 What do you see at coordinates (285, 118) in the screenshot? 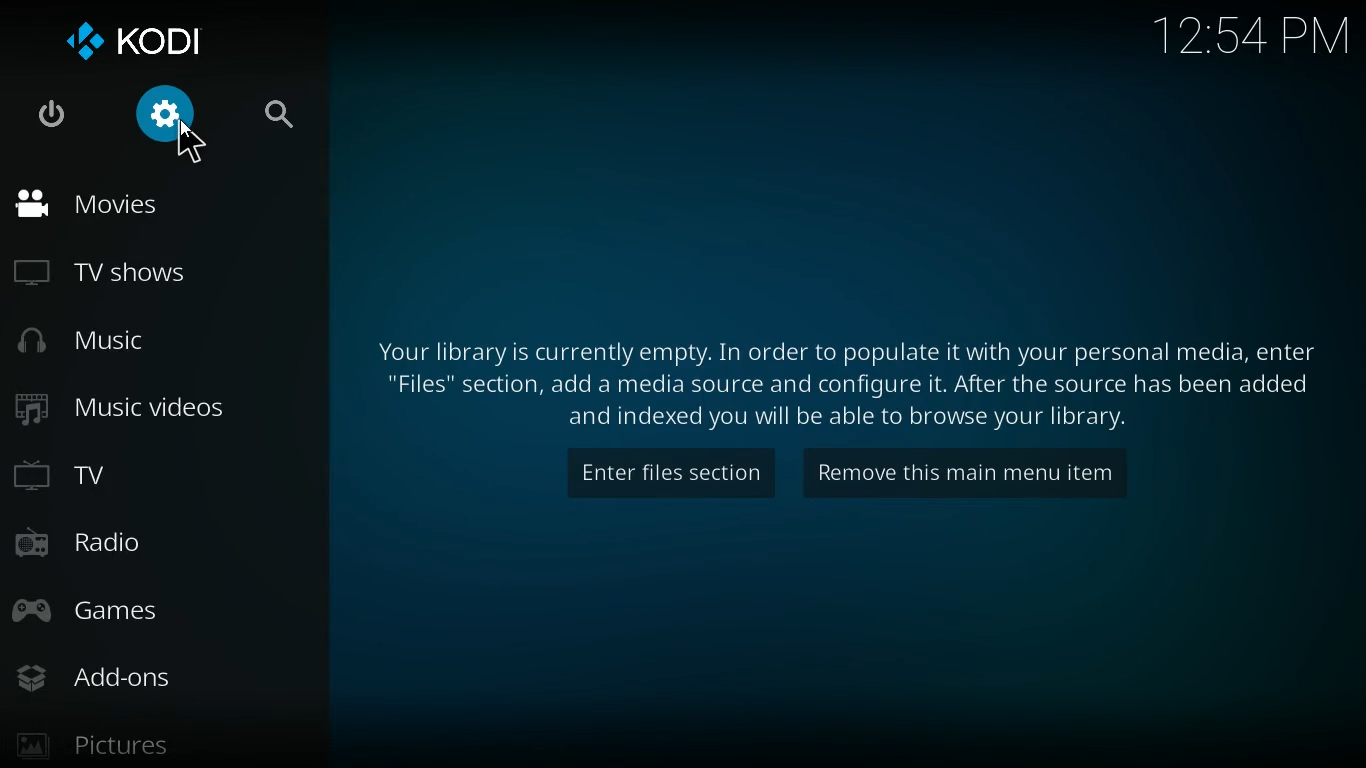
I see `search` at bounding box center [285, 118].